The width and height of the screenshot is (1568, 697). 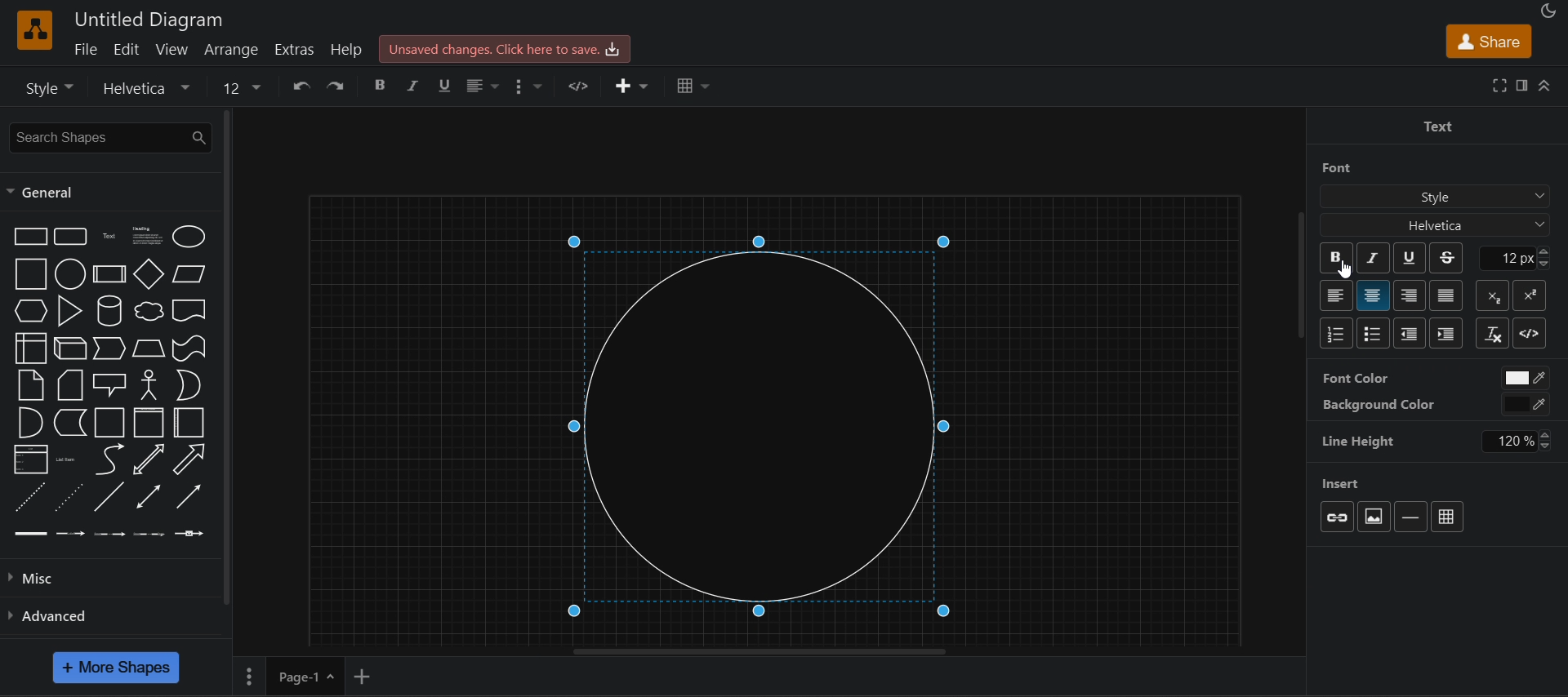 What do you see at coordinates (529, 87) in the screenshot?
I see `format` at bounding box center [529, 87].